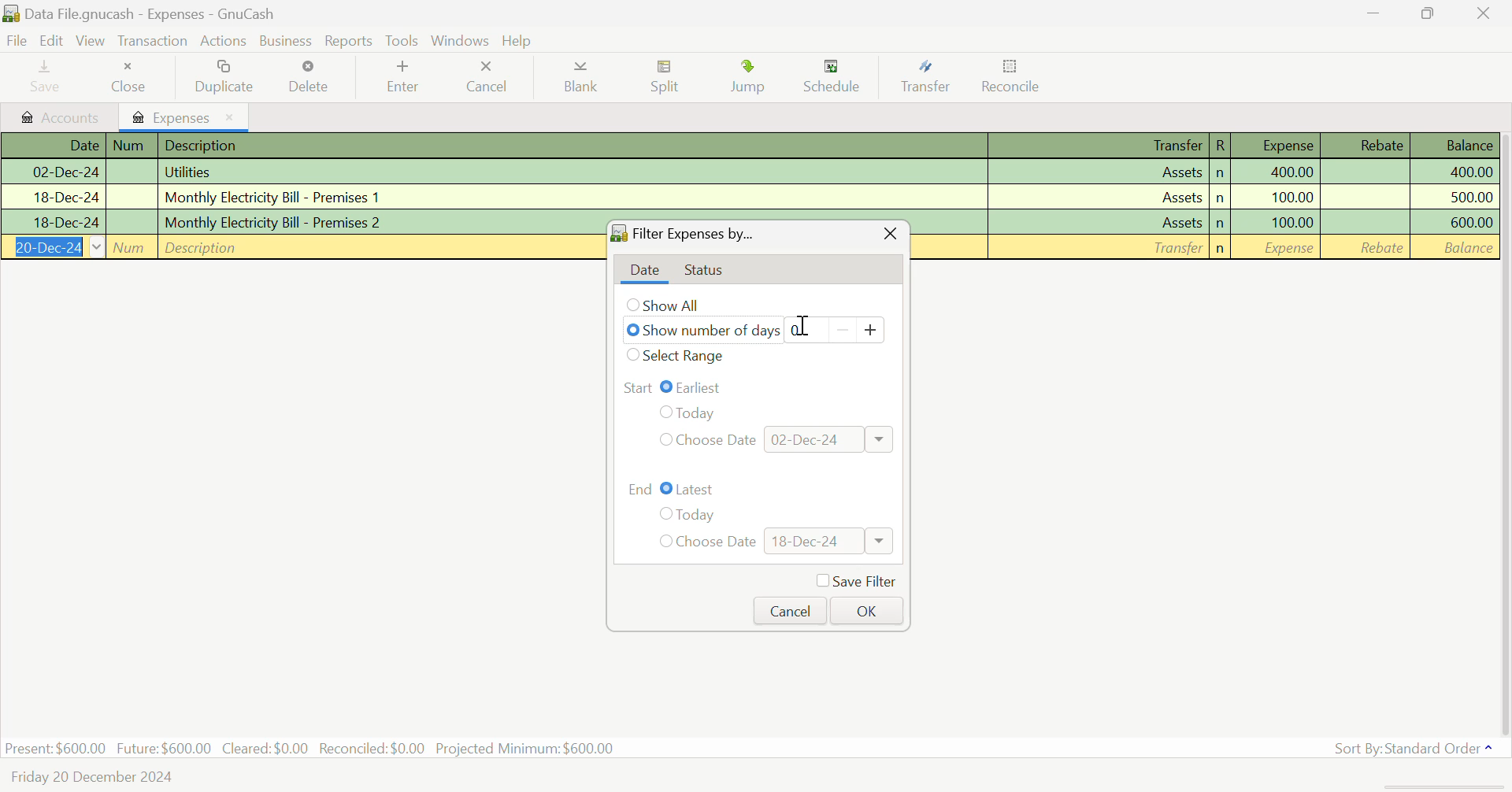  What do you see at coordinates (1291, 171) in the screenshot?
I see `Amount` at bounding box center [1291, 171].